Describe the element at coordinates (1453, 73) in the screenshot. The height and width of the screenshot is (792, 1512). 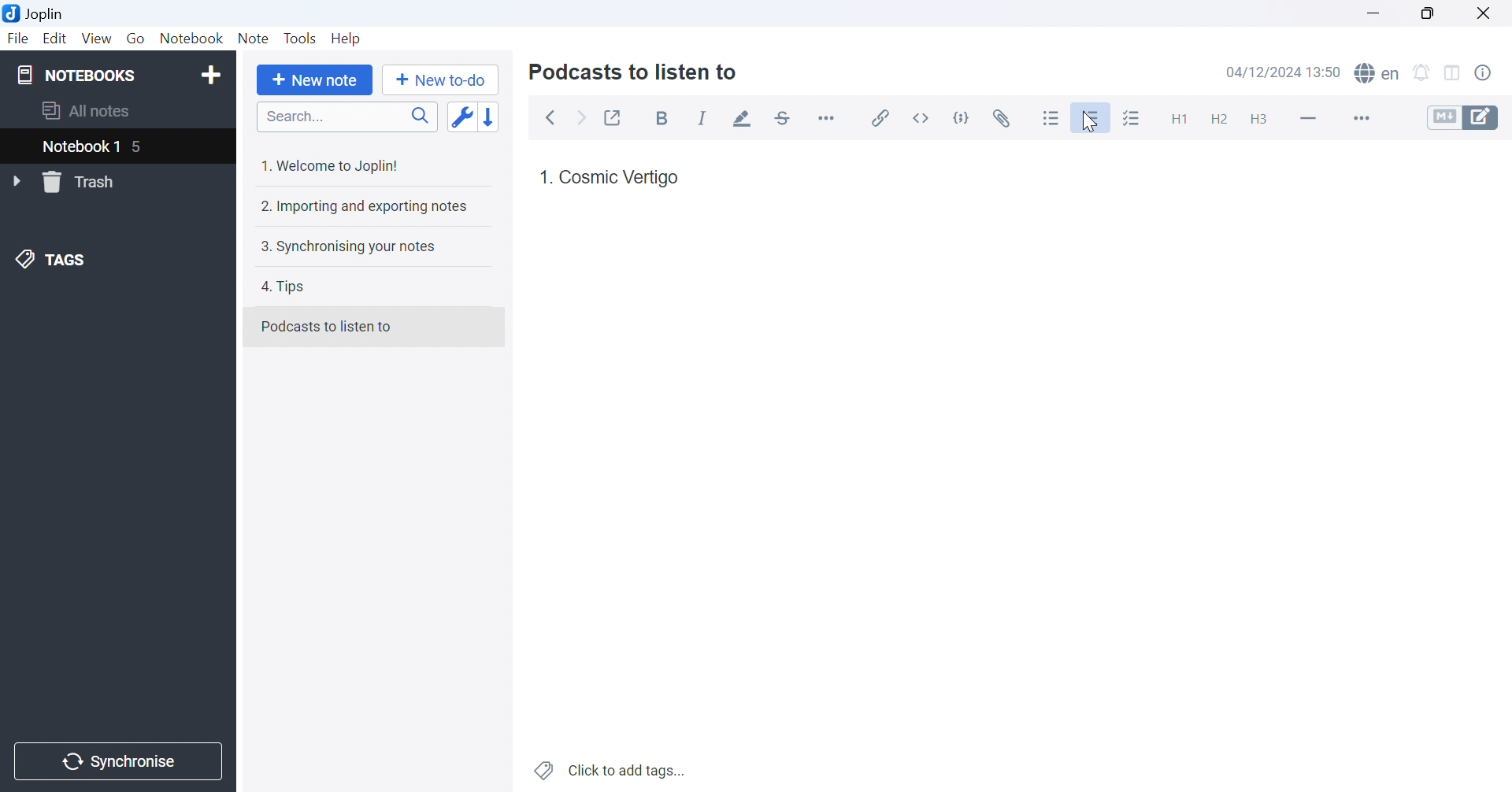
I see `Toggle editor layout` at that location.